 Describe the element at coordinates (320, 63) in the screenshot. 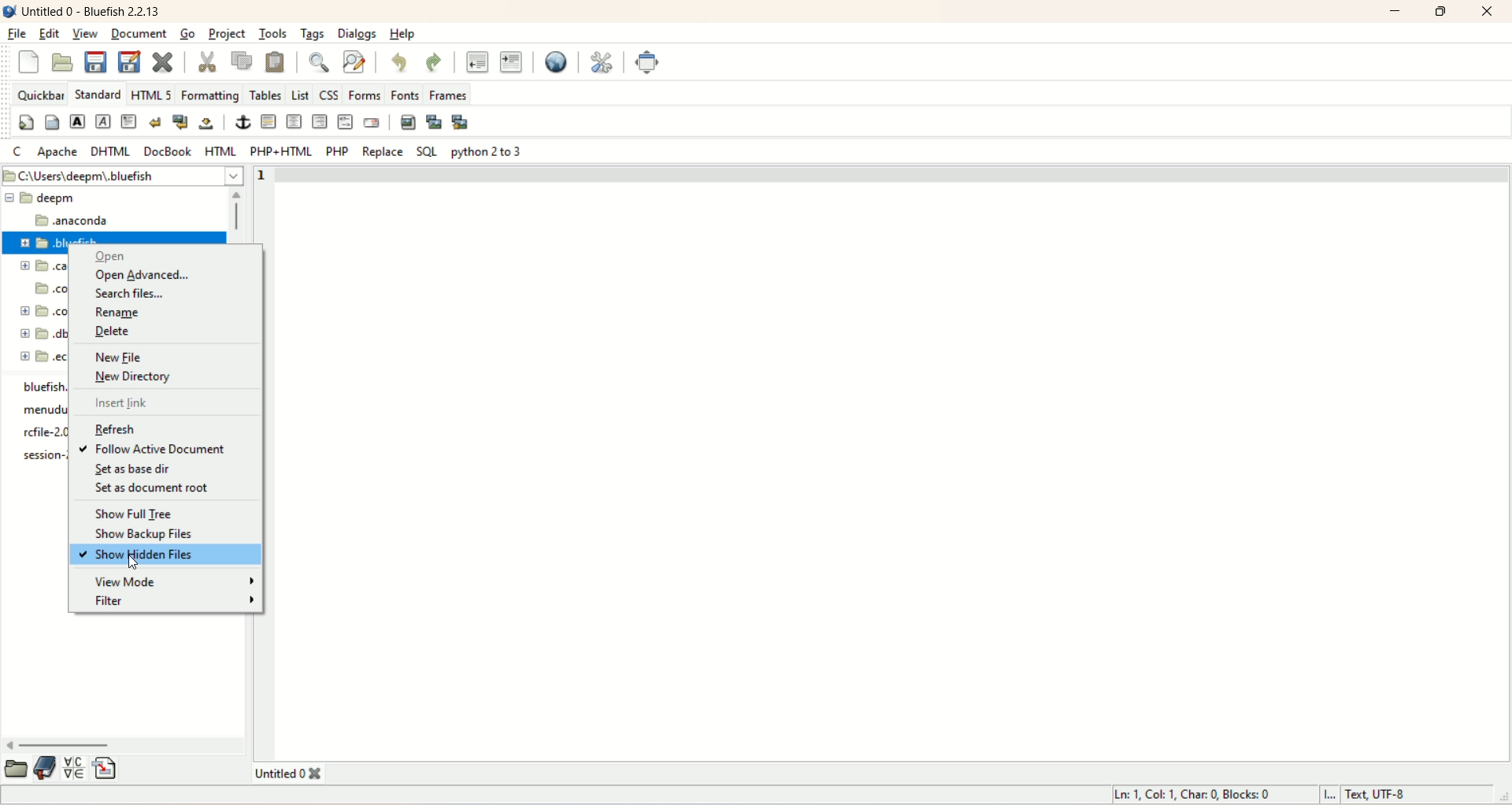

I see `show find bar` at that location.